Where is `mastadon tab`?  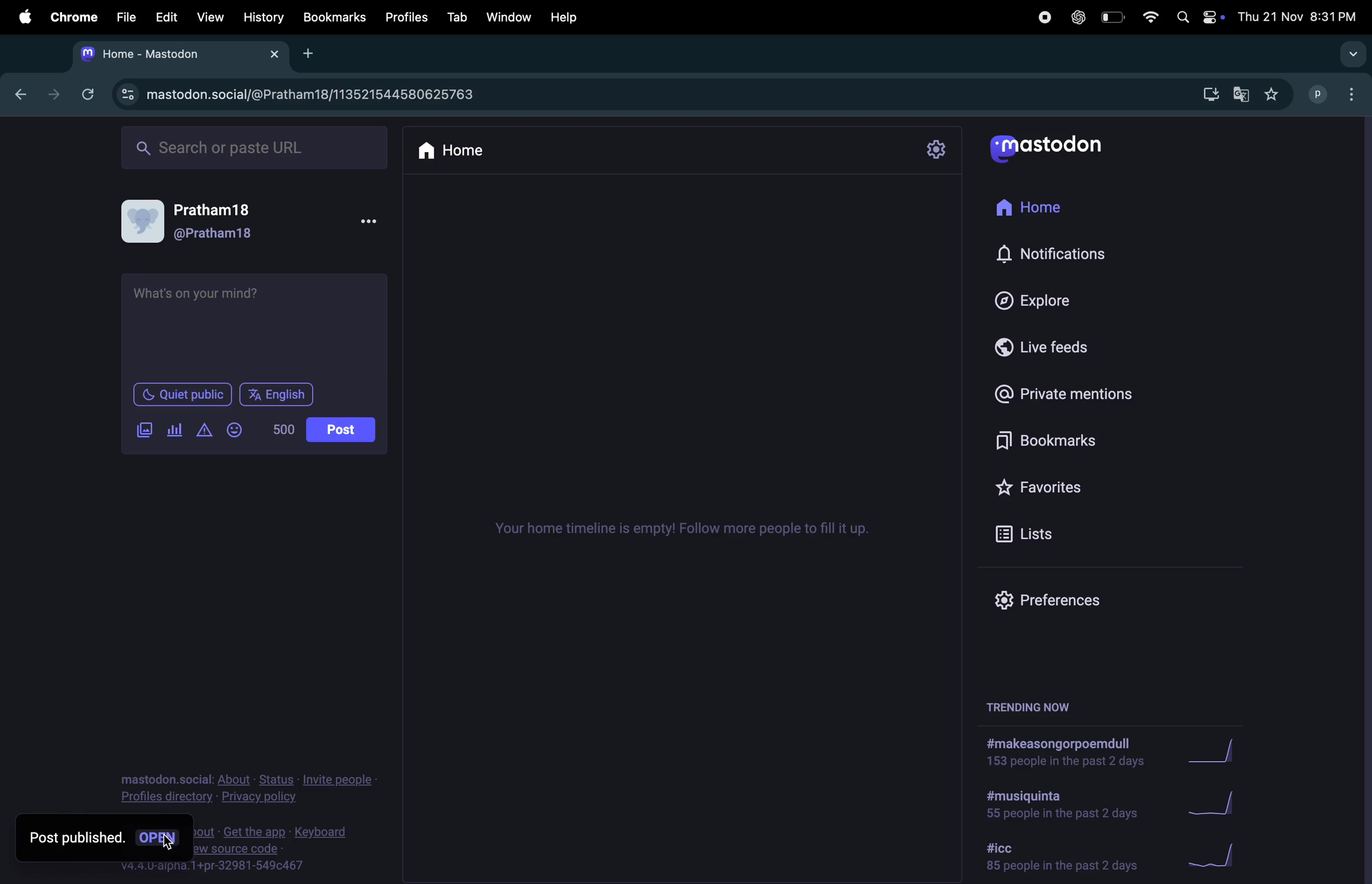
mastadon tab is located at coordinates (145, 55).